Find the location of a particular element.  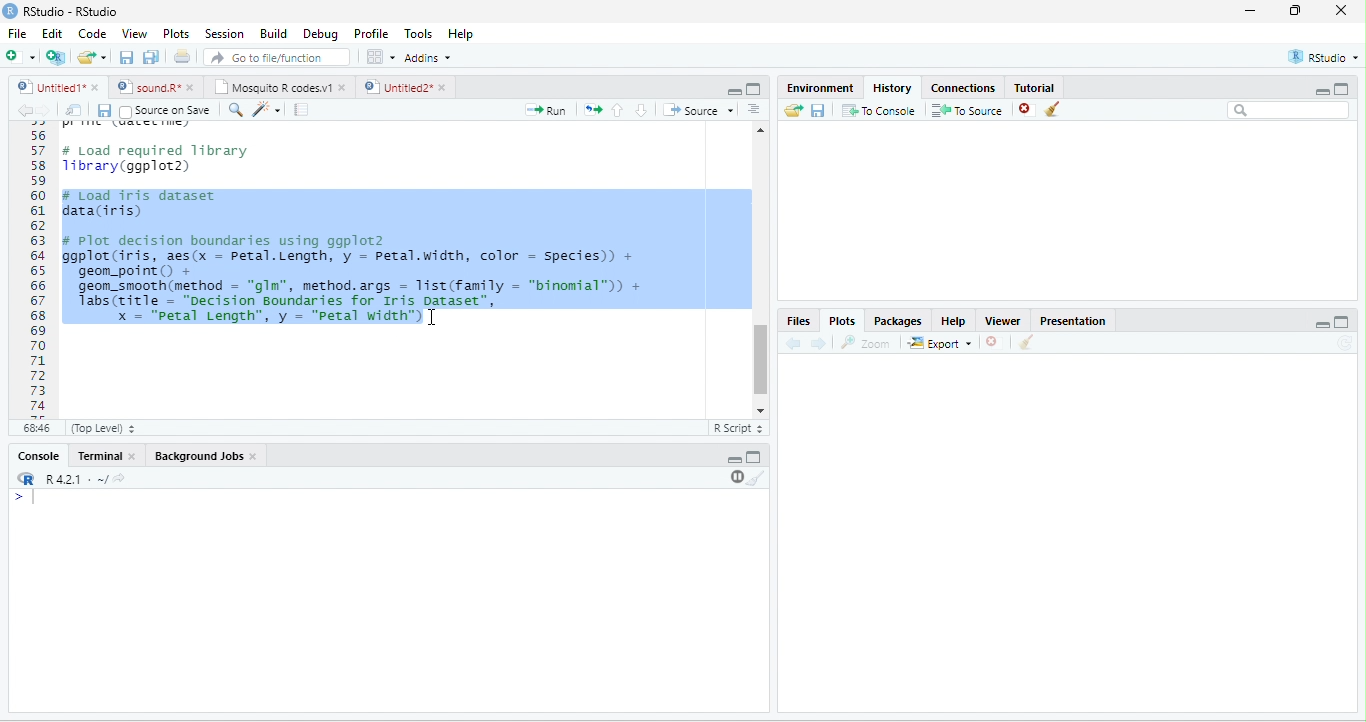

tools is located at coordinates (265, 111).